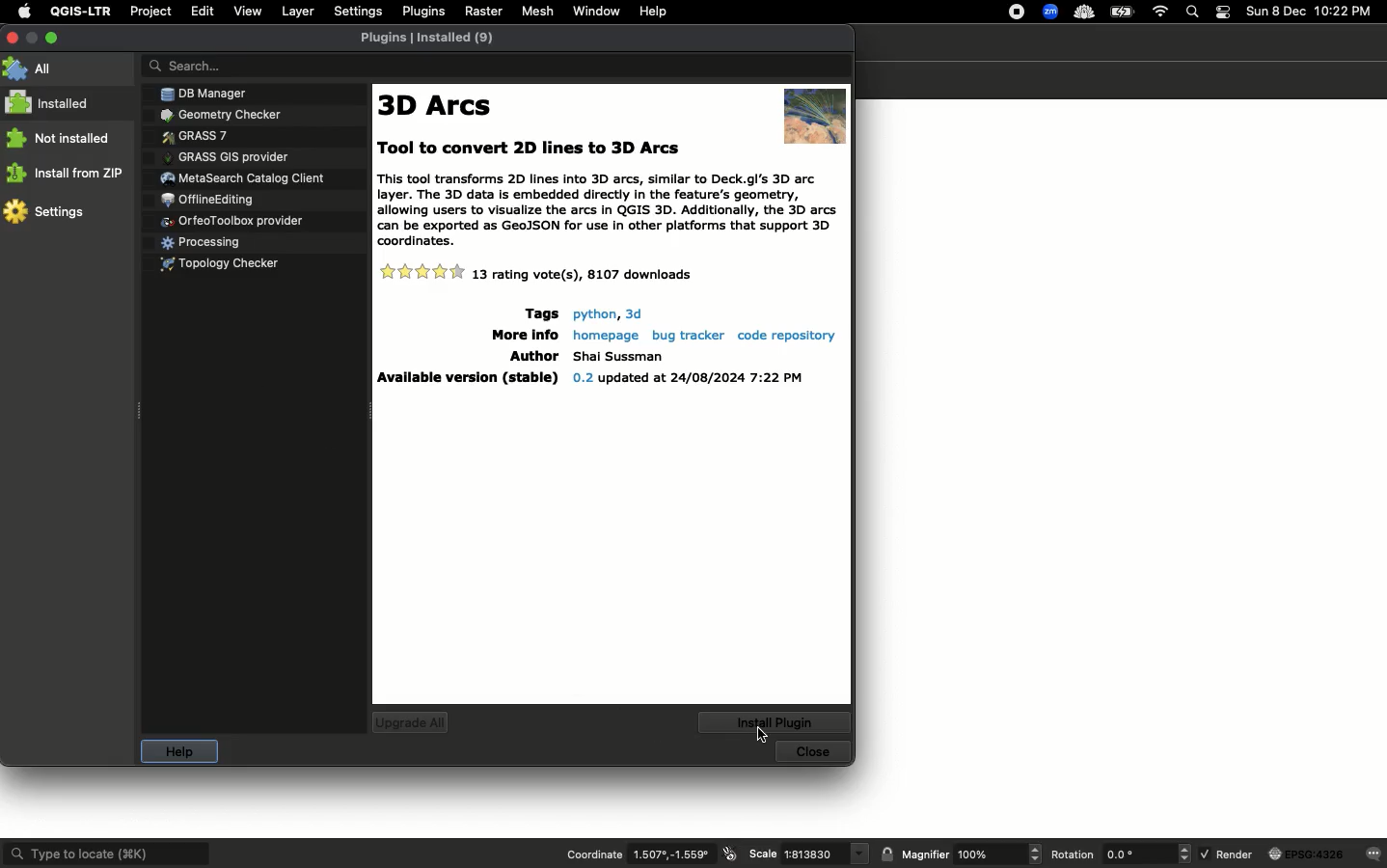  I want to click on Close, so click(815, 752).